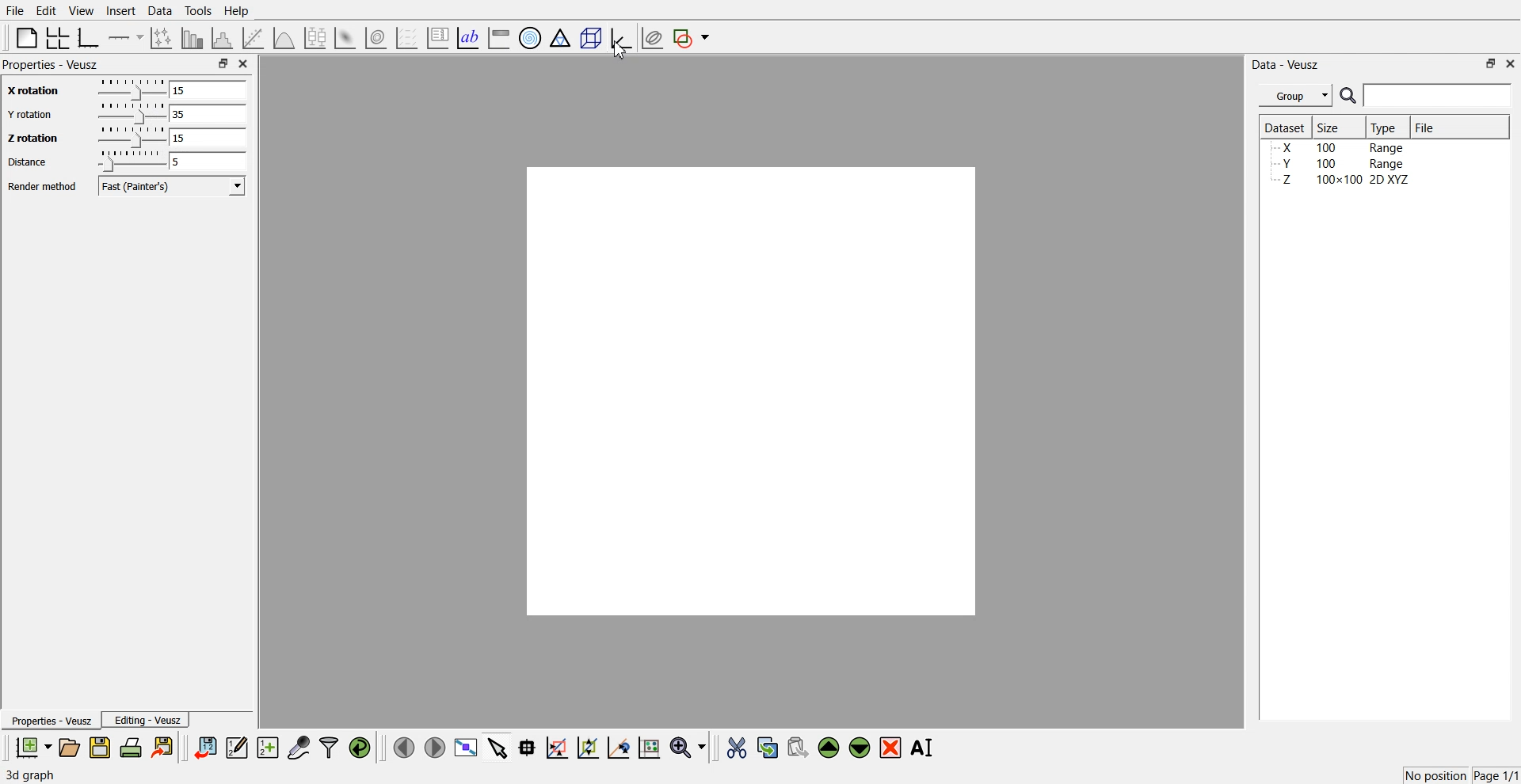  What do you see at coordinates (130, 89) in the screenshot?
I see `Drag Handle` at bounding box center [130, 89].